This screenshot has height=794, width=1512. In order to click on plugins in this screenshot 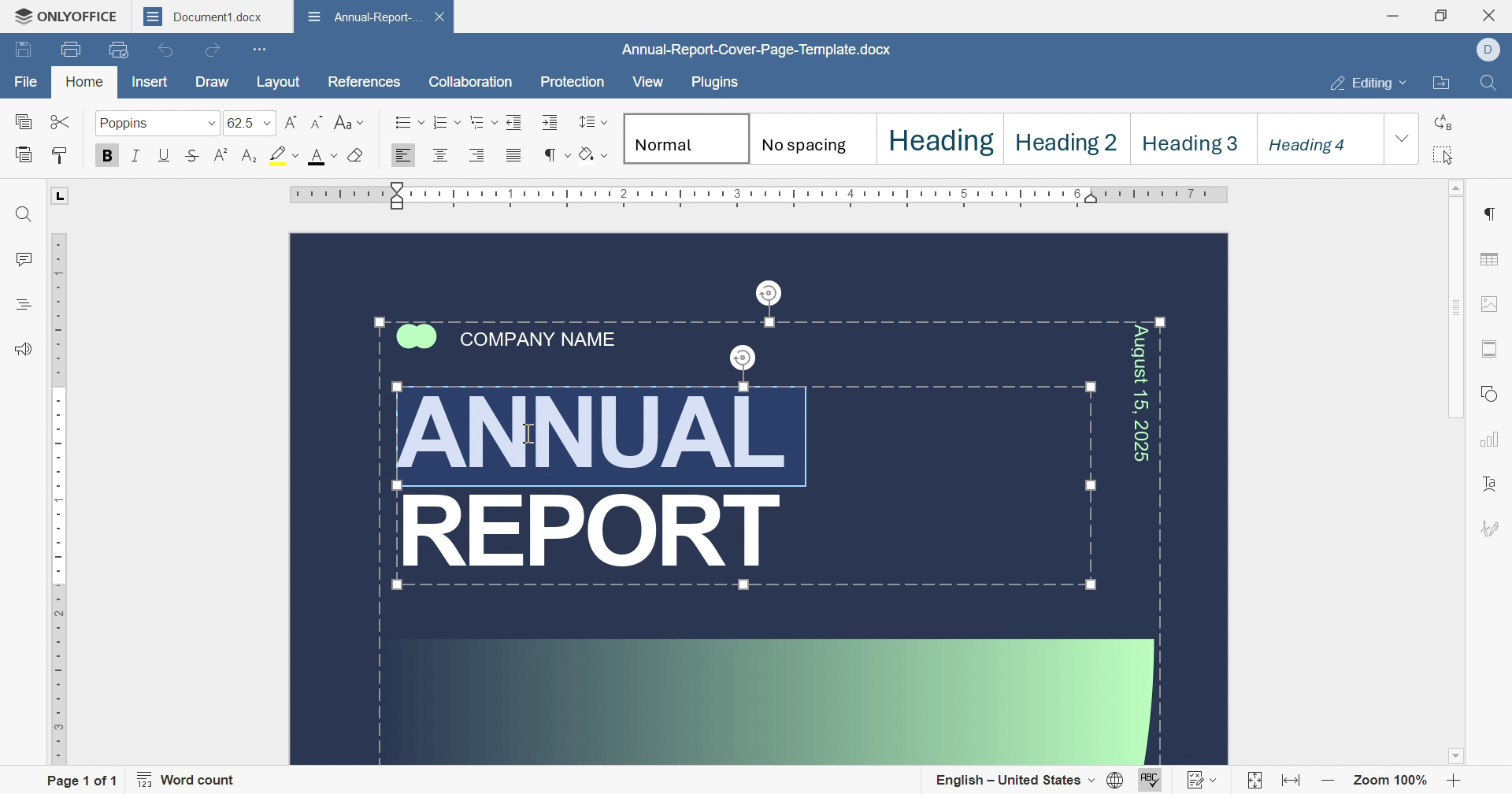, I will do `click(713, 83)`.